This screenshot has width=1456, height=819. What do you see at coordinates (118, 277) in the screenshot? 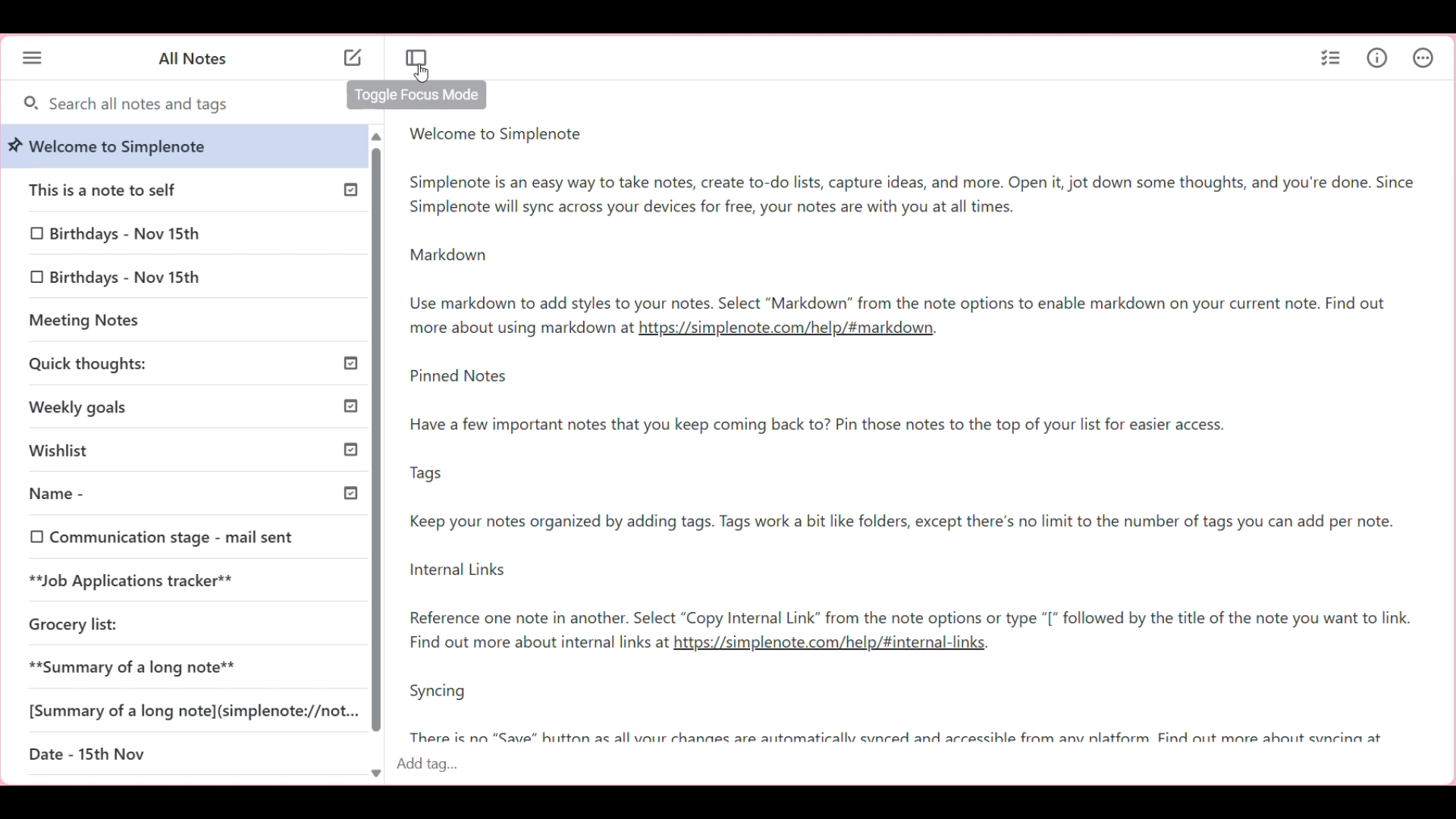
I see `0 Birthdays - Nov 15th` at bounding box center [118, 277].